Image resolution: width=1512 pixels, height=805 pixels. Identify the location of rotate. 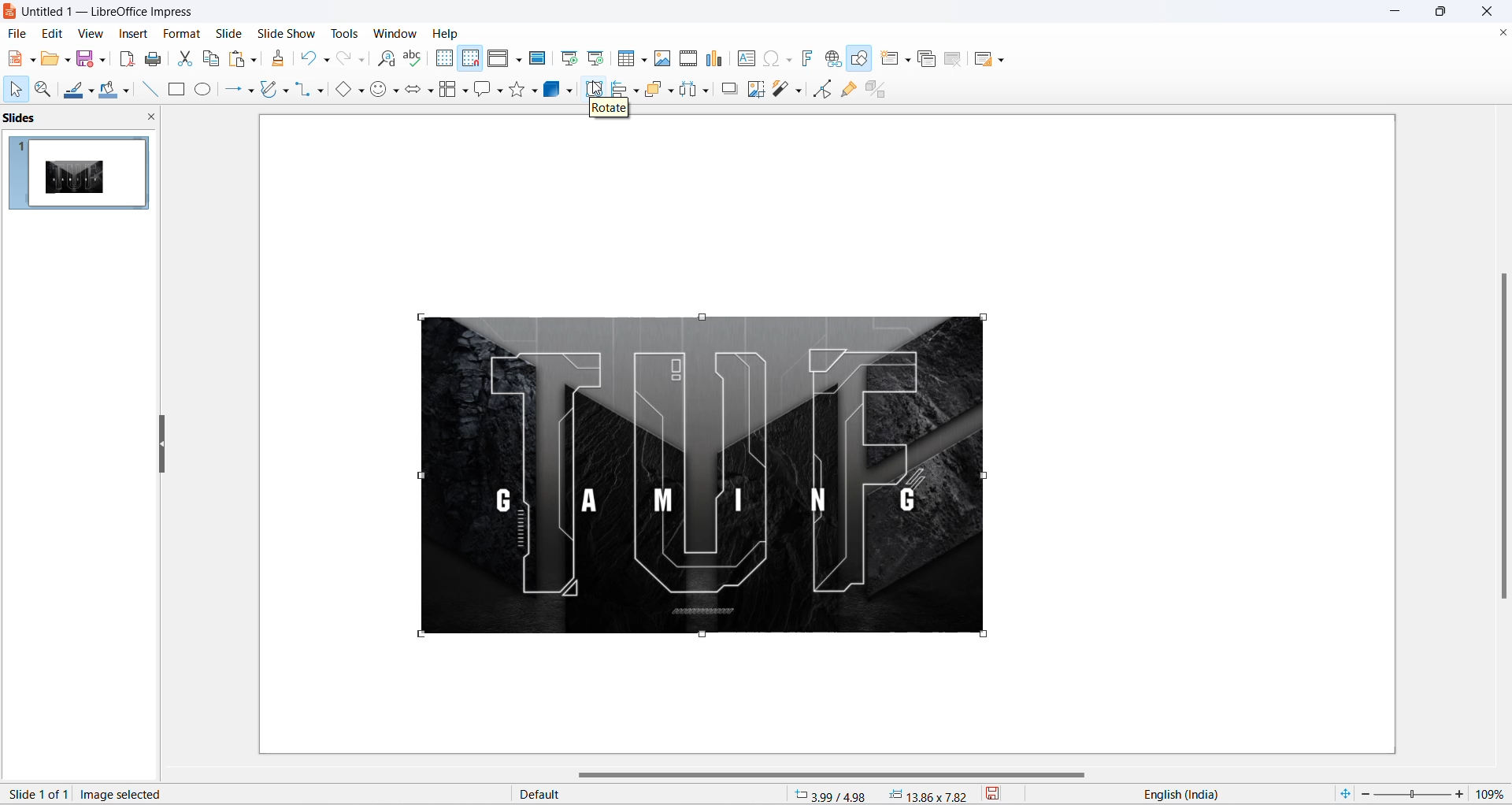
(597, 90).